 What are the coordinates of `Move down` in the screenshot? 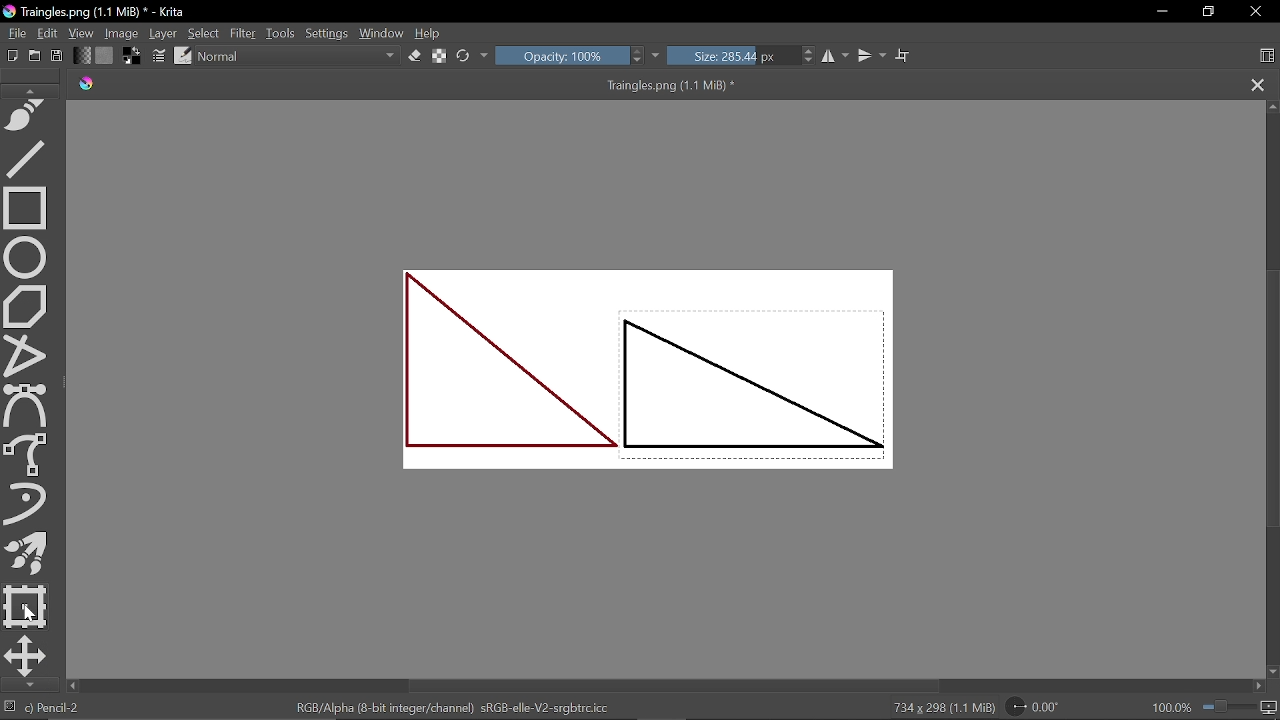 It's located at (1272, 672).